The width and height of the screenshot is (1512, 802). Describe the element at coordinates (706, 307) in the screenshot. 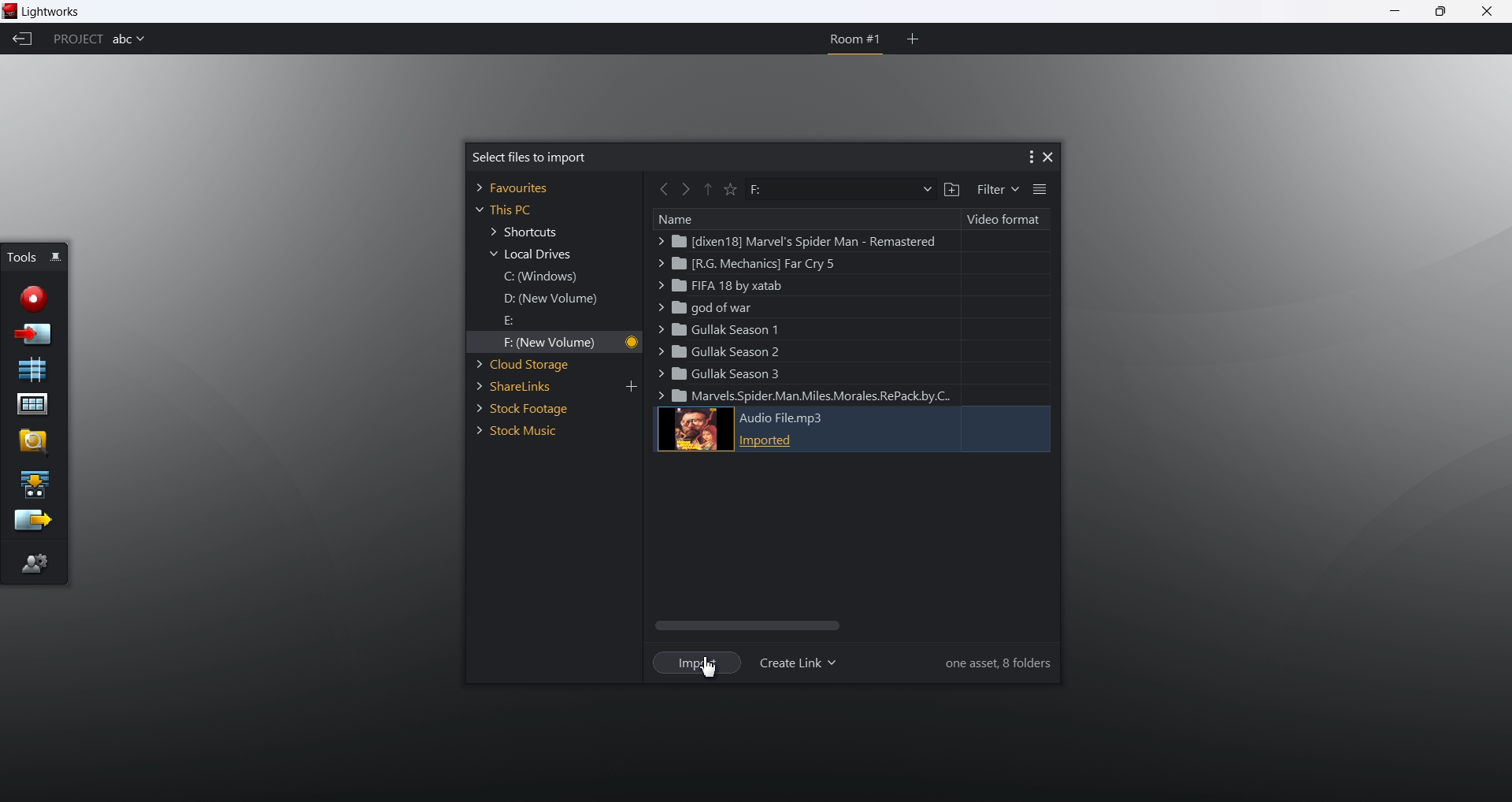

I see `god of war` at that location.